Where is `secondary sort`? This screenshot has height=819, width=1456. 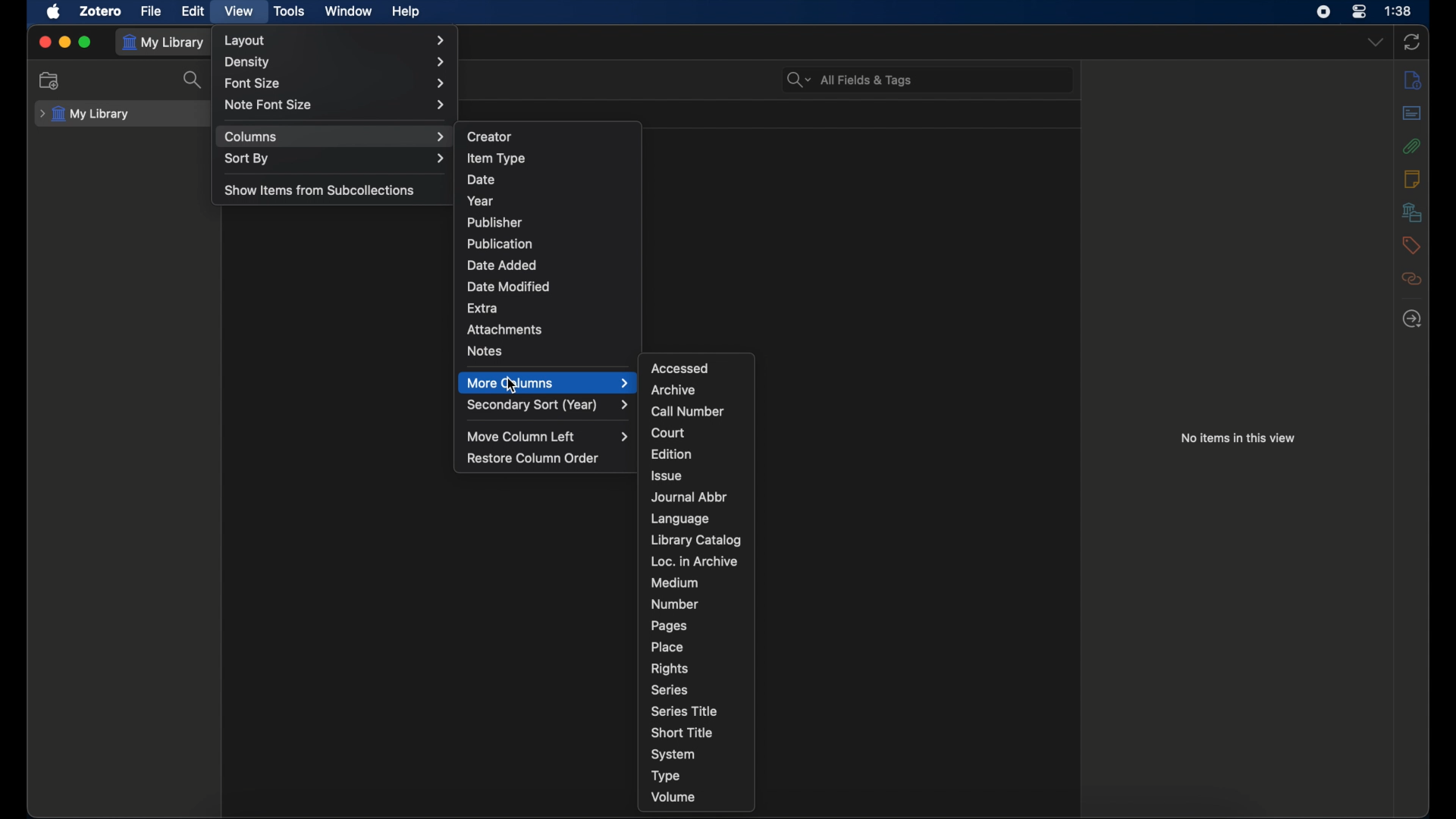
secondary sort is located at coordinates (548, 405).